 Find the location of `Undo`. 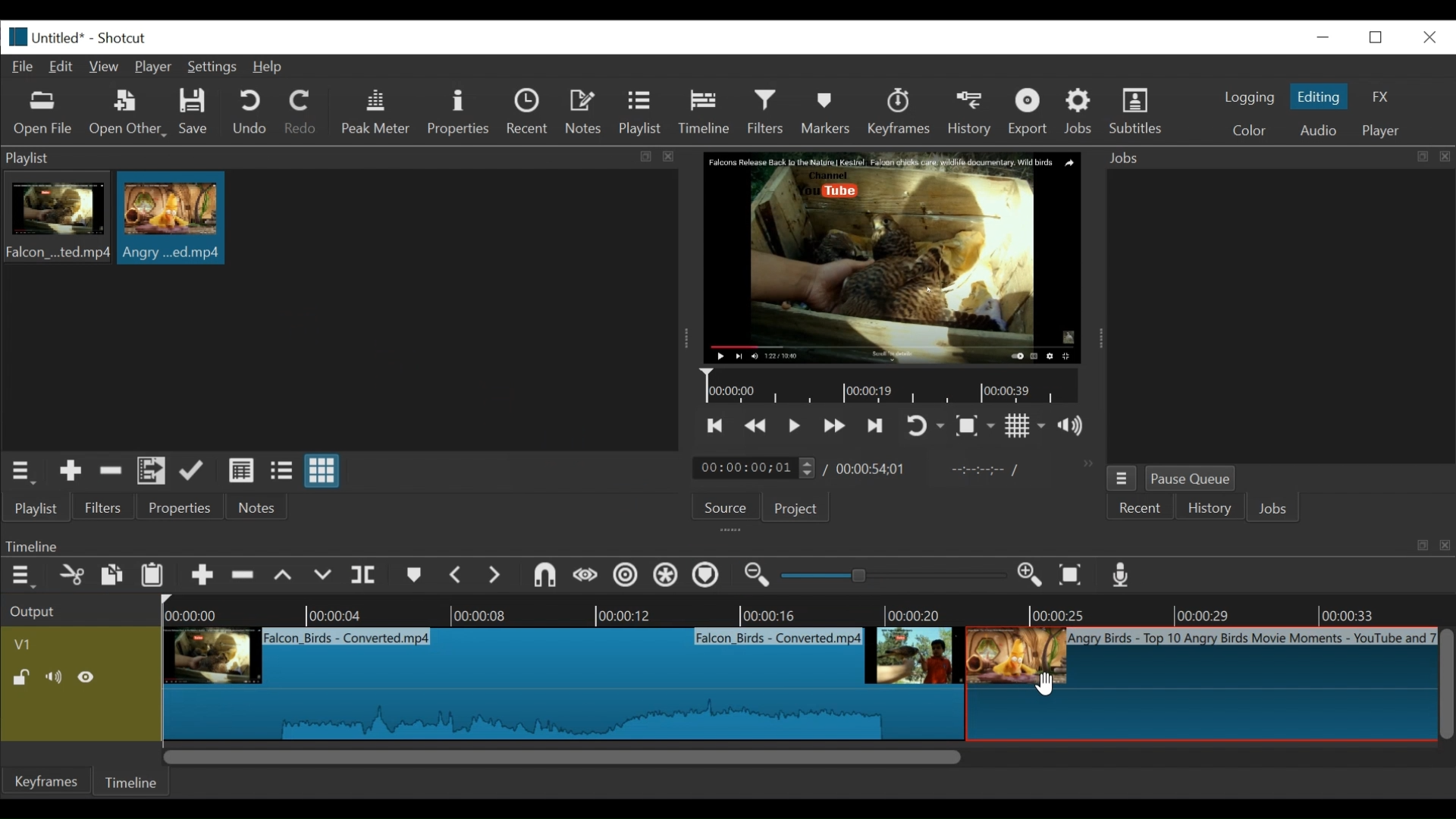

Undo is located at coordinates (252, 113).